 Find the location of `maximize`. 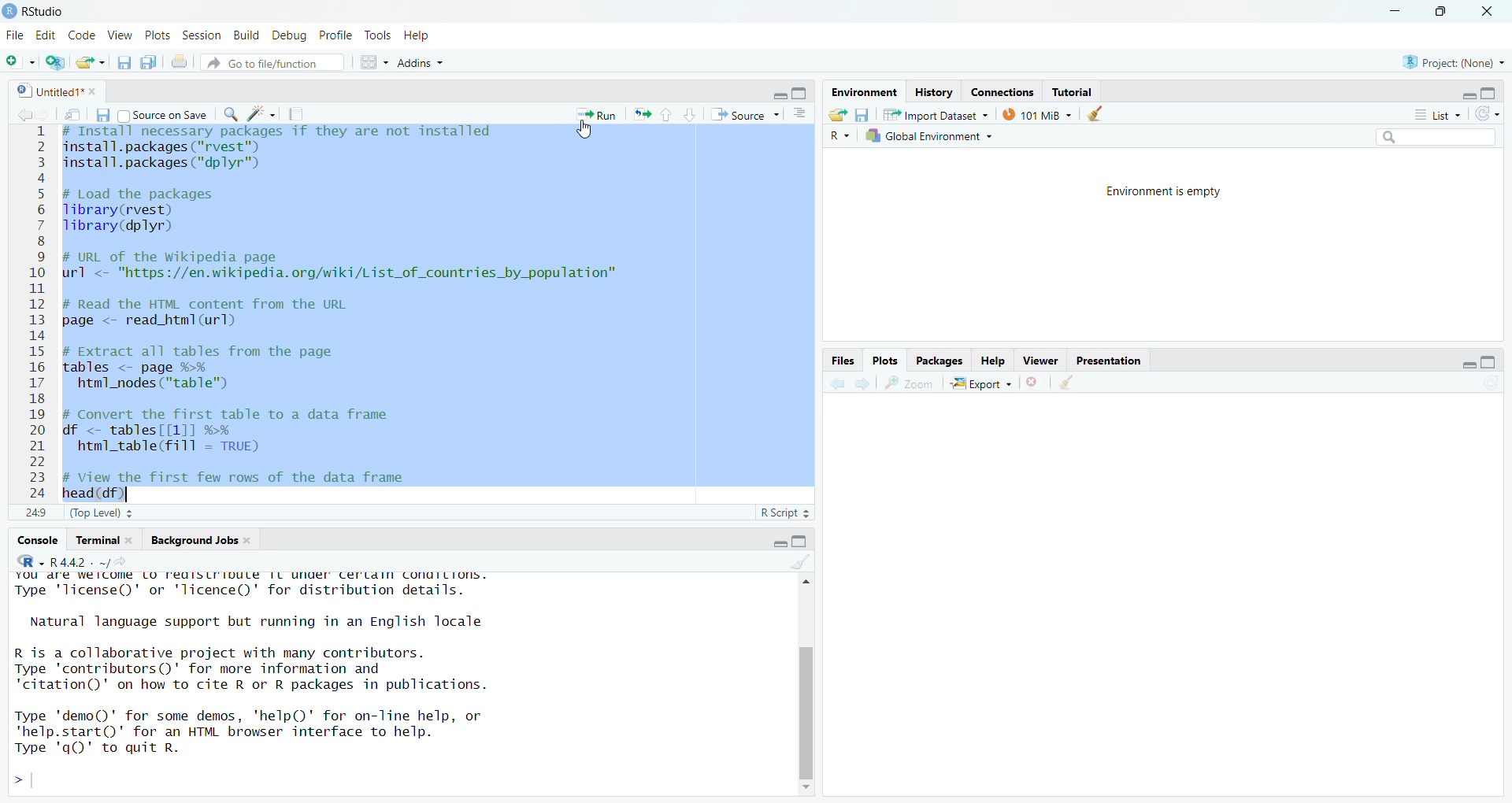

maximize is located at coordinates (1489, 93).